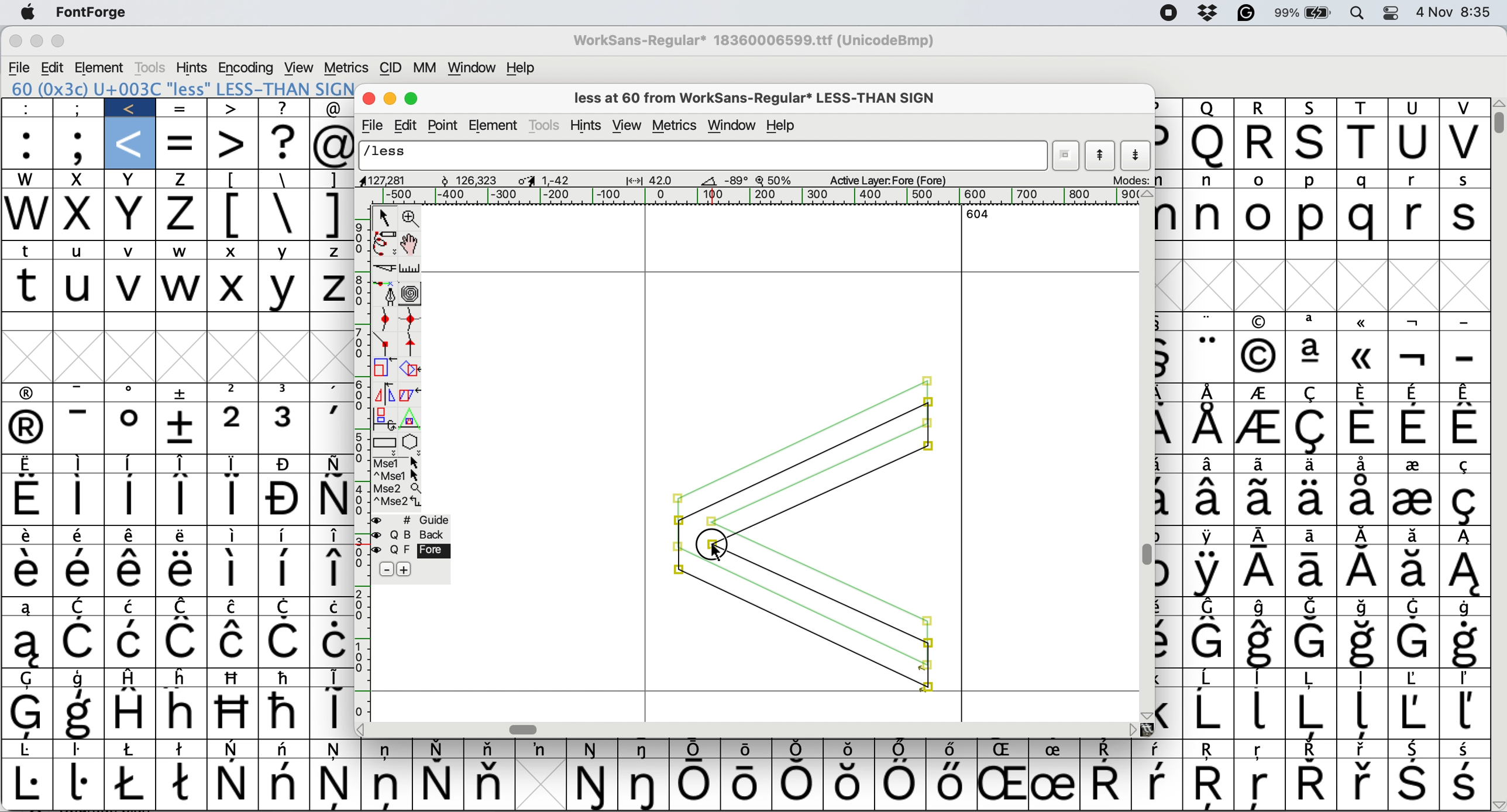 The width and height of the screenshot is (1507, 812). I want to click on Symbol, so click(1310, 678).